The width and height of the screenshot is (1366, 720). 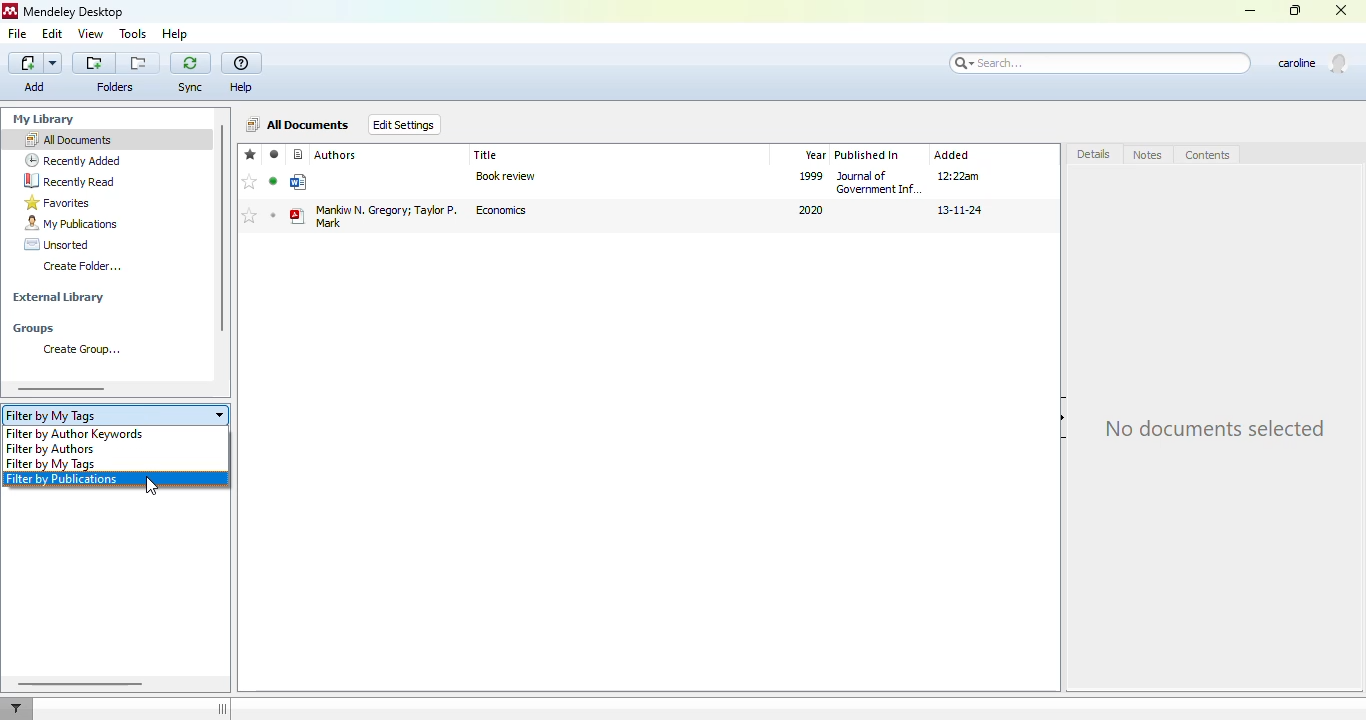 I want to click on unsorted, so click(x=57, y=244).